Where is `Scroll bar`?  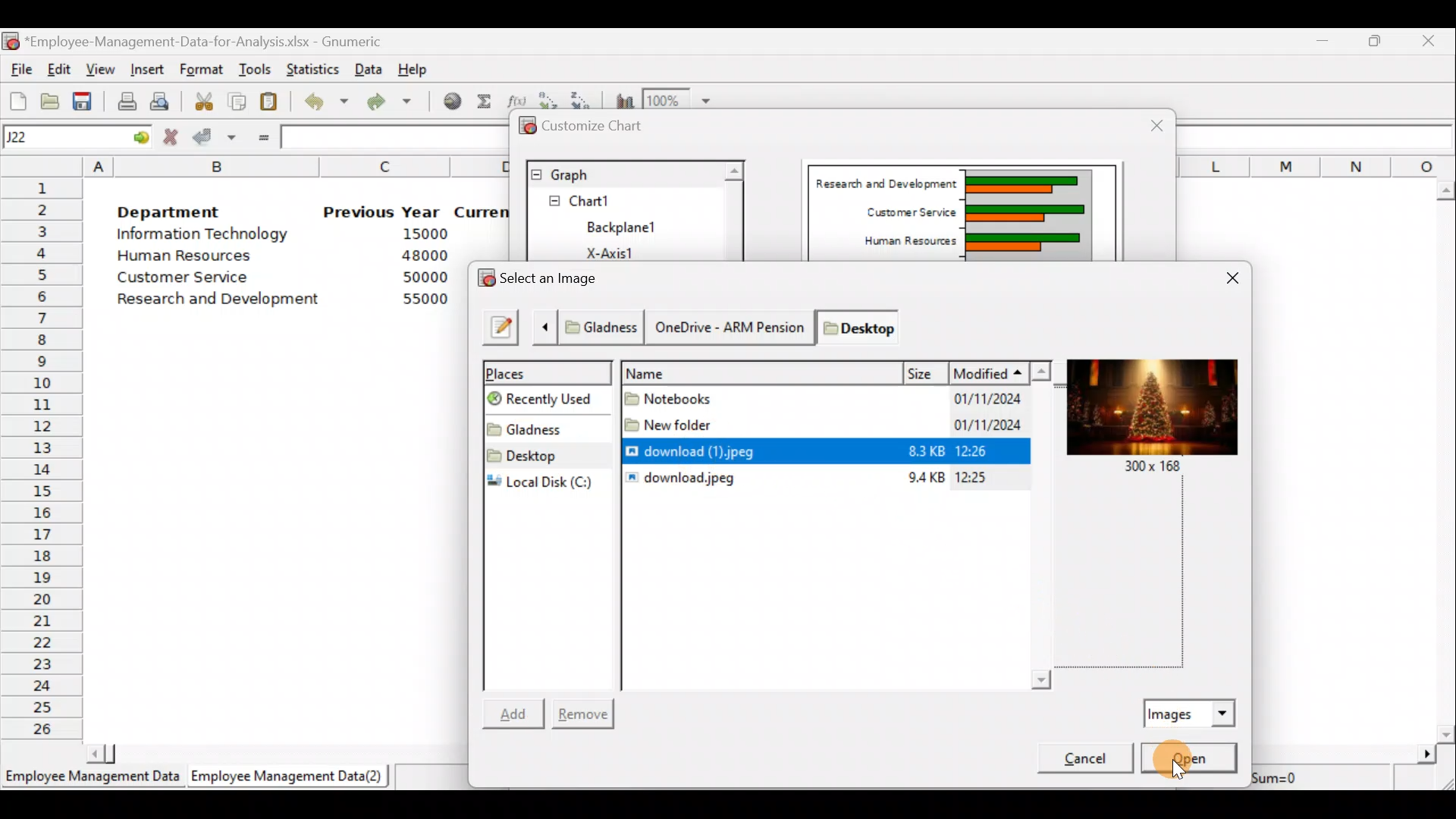 Scroll bar is located at coordinates (838, 678).